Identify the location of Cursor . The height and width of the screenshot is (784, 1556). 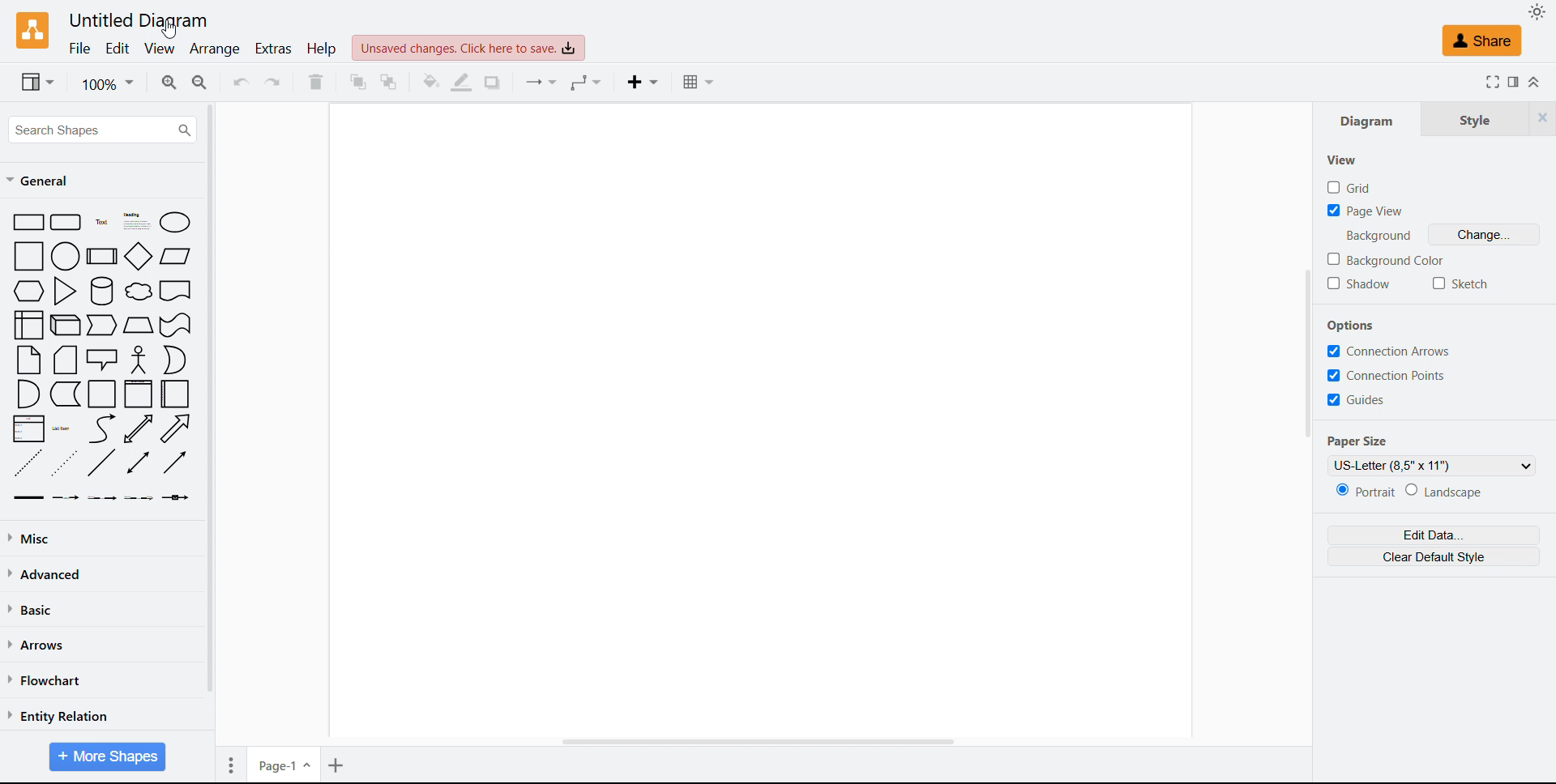
(170, 29).